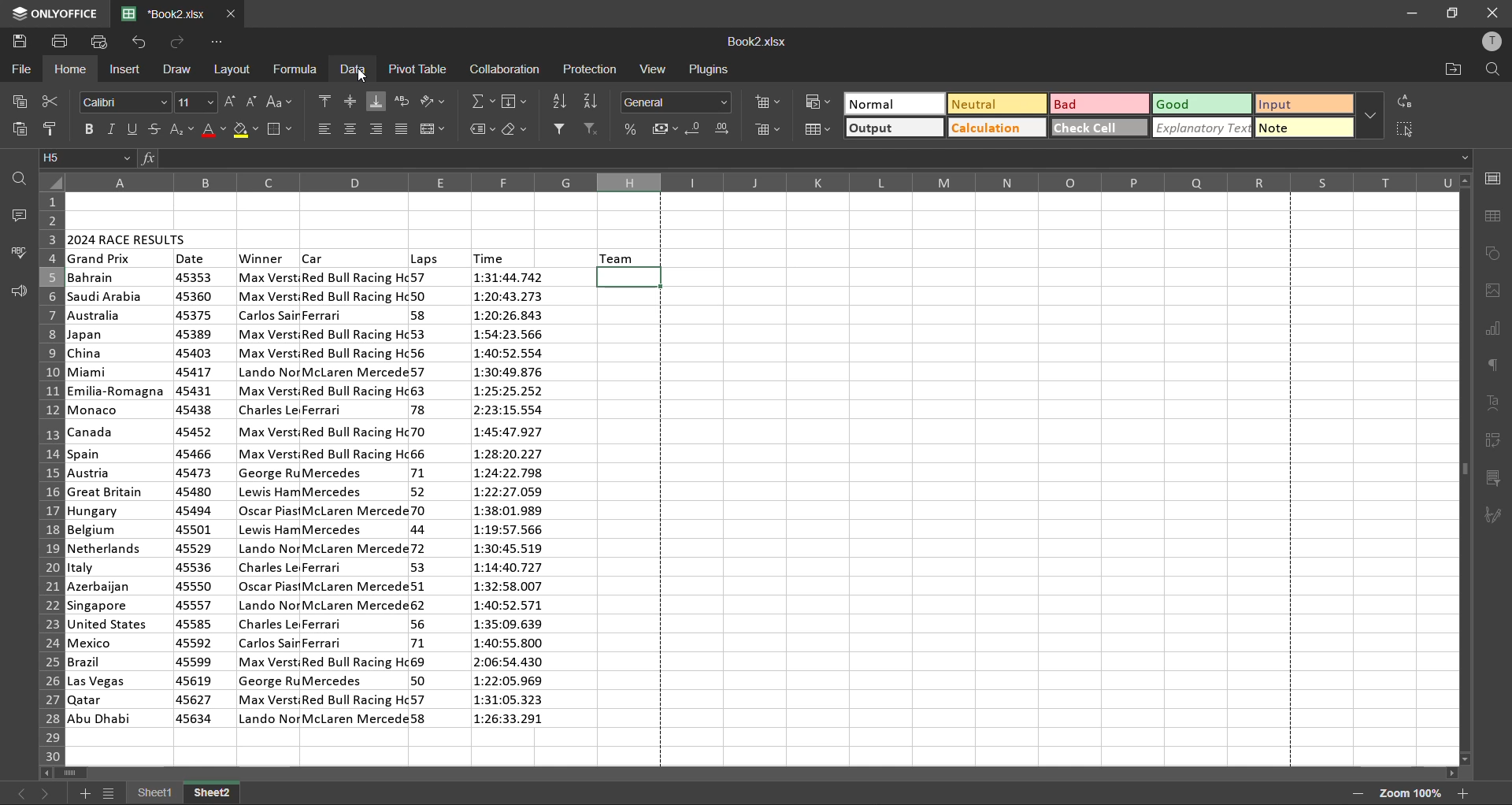  What do you see at coordinates (562, 102) in the screenshot?
I see `sort ascending` at bounding box center [562, 102].